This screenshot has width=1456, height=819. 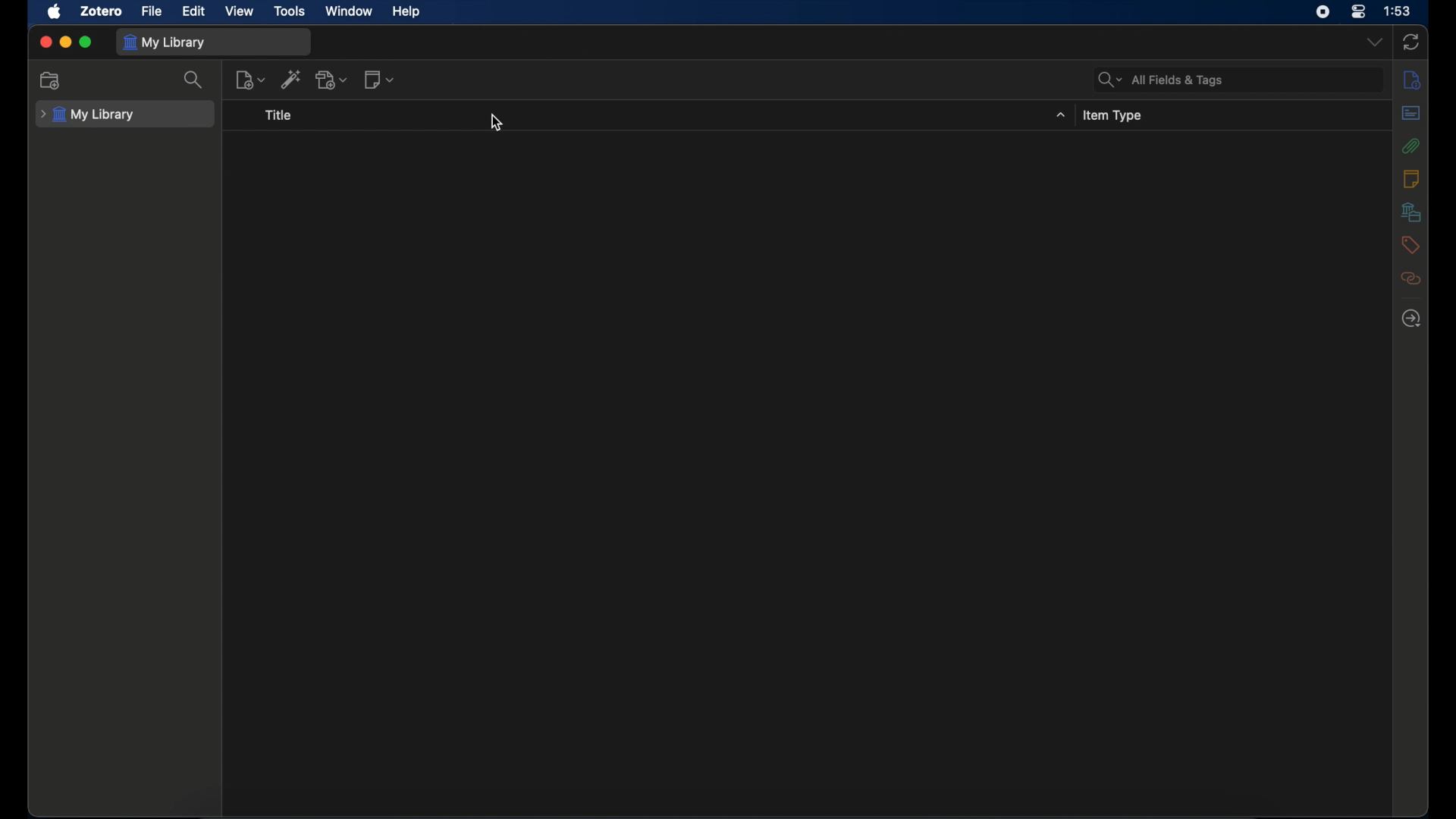 I want to click on view, so click(x=238, y=11).